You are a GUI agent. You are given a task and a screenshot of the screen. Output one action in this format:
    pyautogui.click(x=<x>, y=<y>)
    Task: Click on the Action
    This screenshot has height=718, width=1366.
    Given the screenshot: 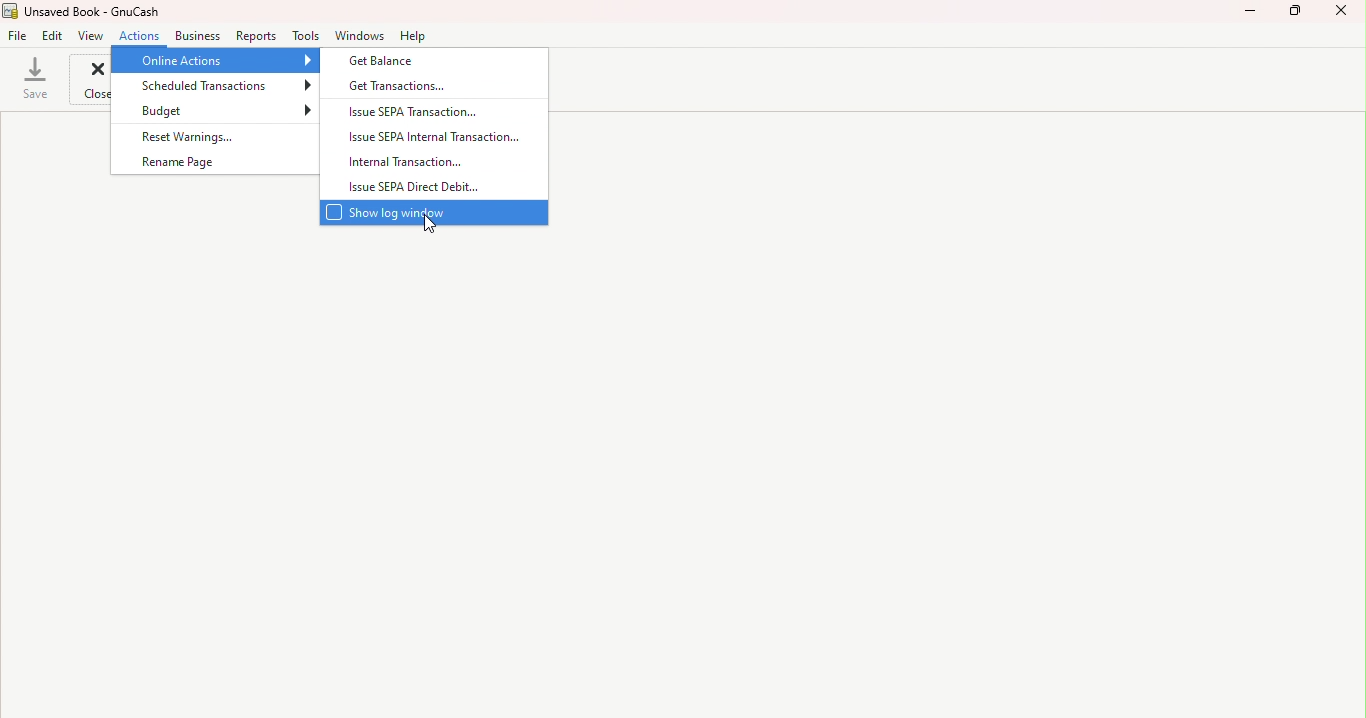 What is the action you would take?
    pyautogui.click(x=143, y=35)
    